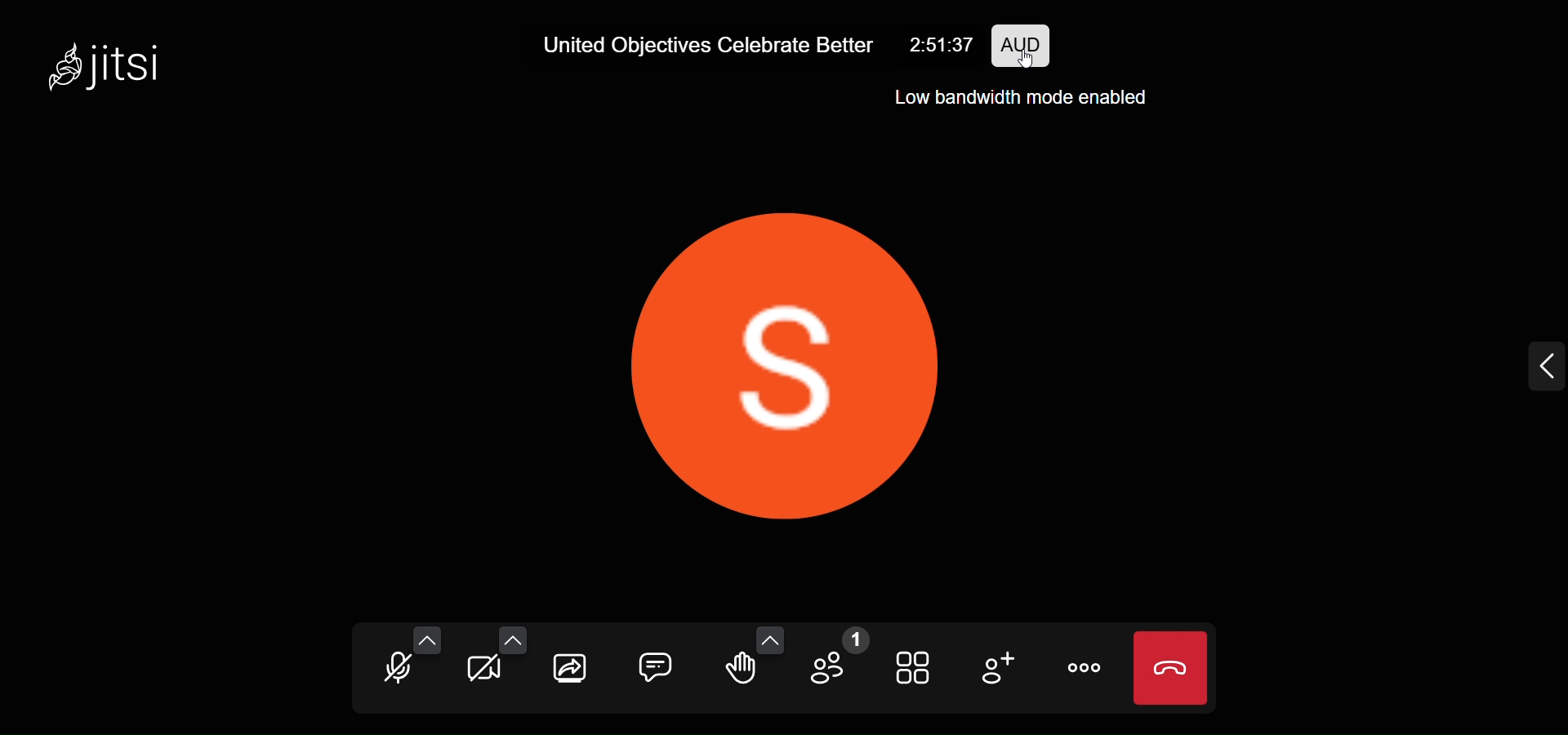 This screenshot has height=735, width=1568. Describe the element at coordinates (1022, 98) in the screenshot. I see `Low Bandwidth mode enabled` at that location.